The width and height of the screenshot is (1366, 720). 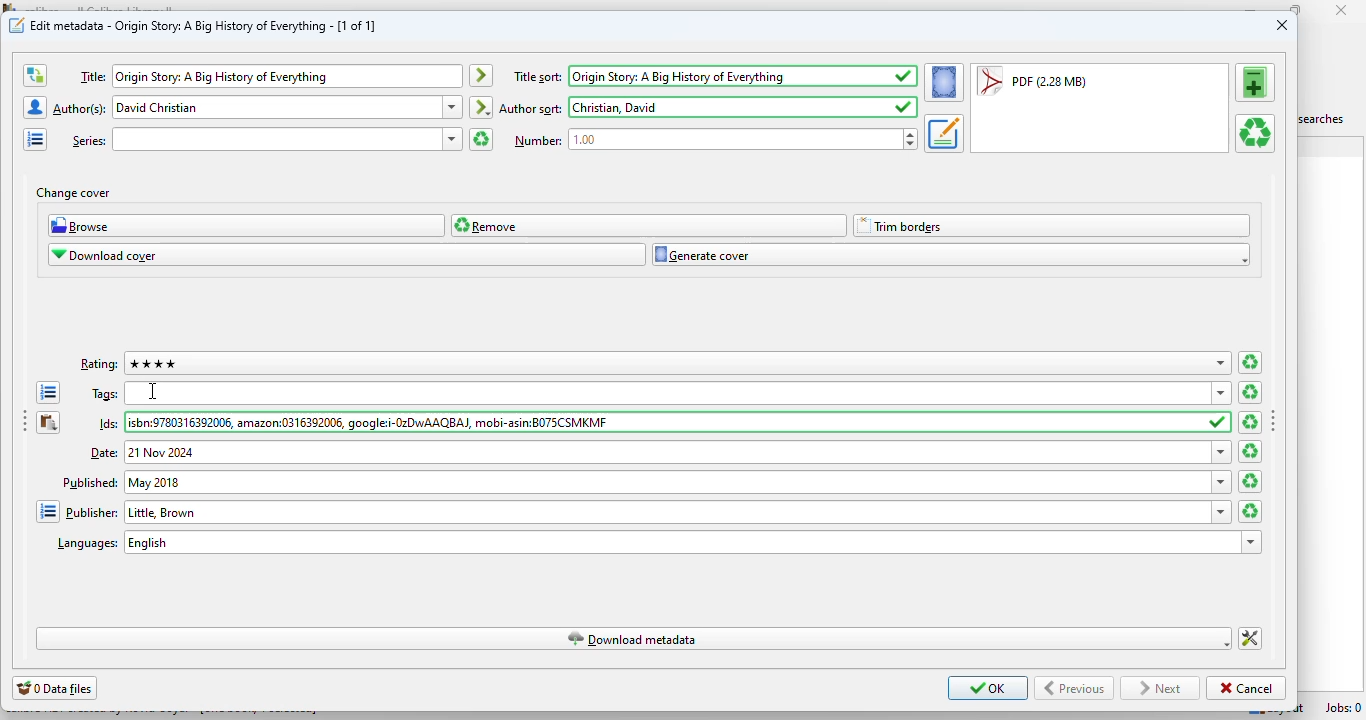 What do you see at coordinates (1250, 392) in the screenshot?
I see `clear all tags` at bounding box center [1250, 392].